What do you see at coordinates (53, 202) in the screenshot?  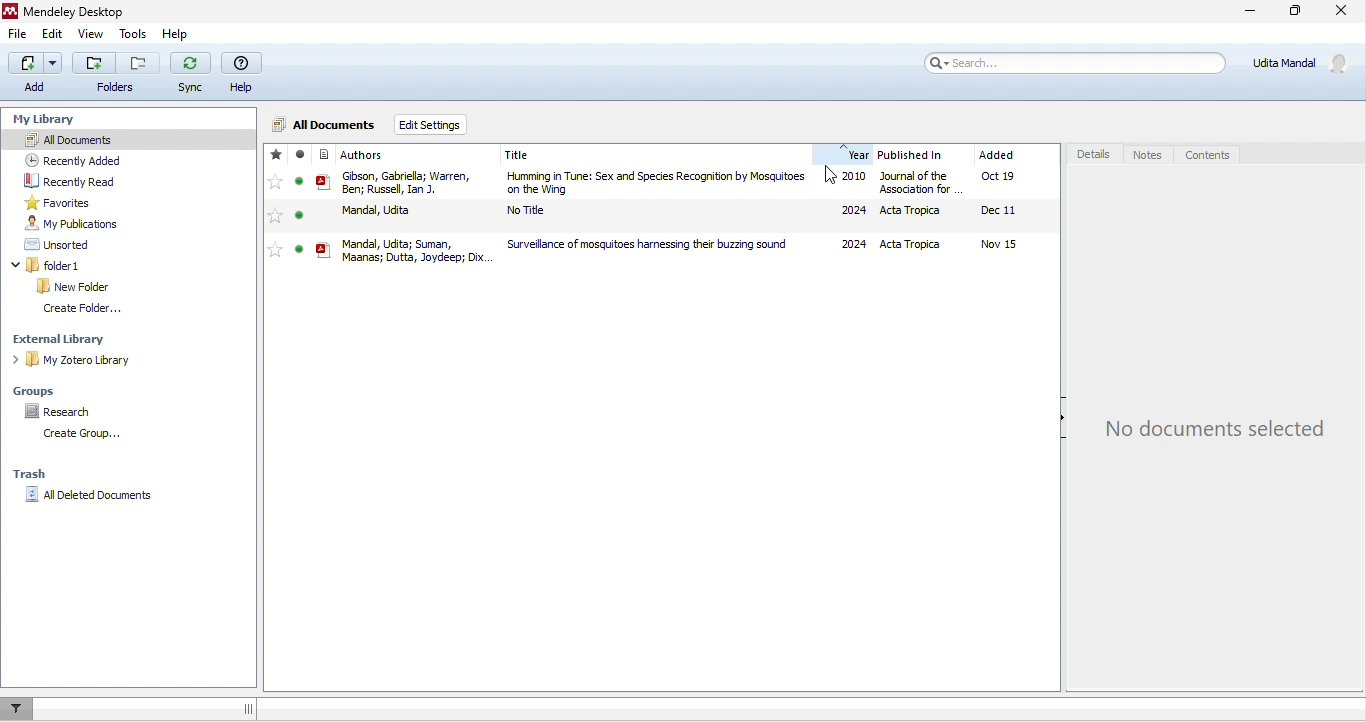 I see `favorites` at bounding box center [53, 202].